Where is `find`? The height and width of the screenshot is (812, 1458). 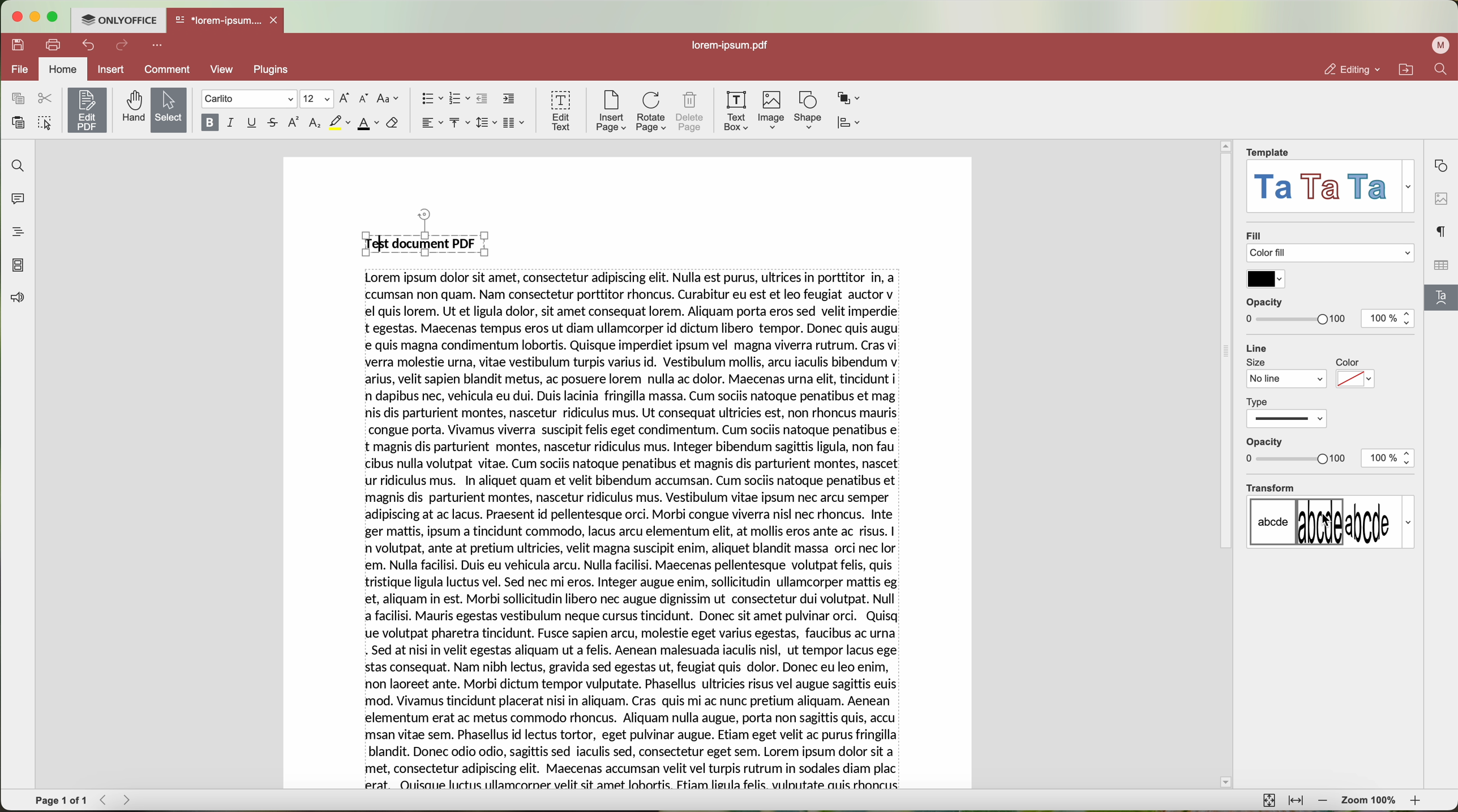
find is located at coordinates (1443, 70).